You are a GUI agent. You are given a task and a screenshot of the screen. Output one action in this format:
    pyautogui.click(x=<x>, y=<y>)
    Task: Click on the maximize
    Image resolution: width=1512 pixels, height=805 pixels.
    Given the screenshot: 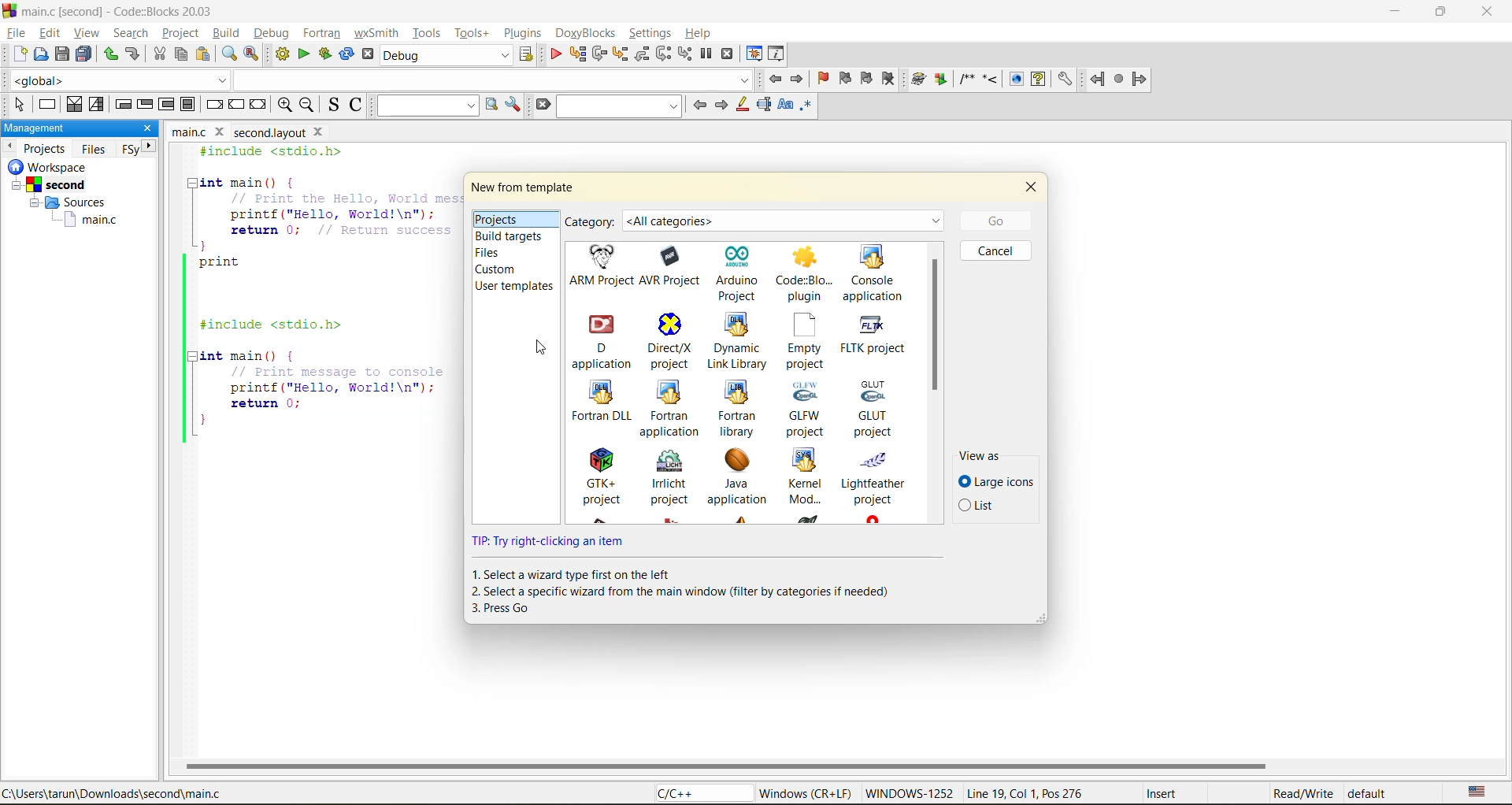 What is the action you would take?
    pyautogui.click(x=1444, y=14)
    